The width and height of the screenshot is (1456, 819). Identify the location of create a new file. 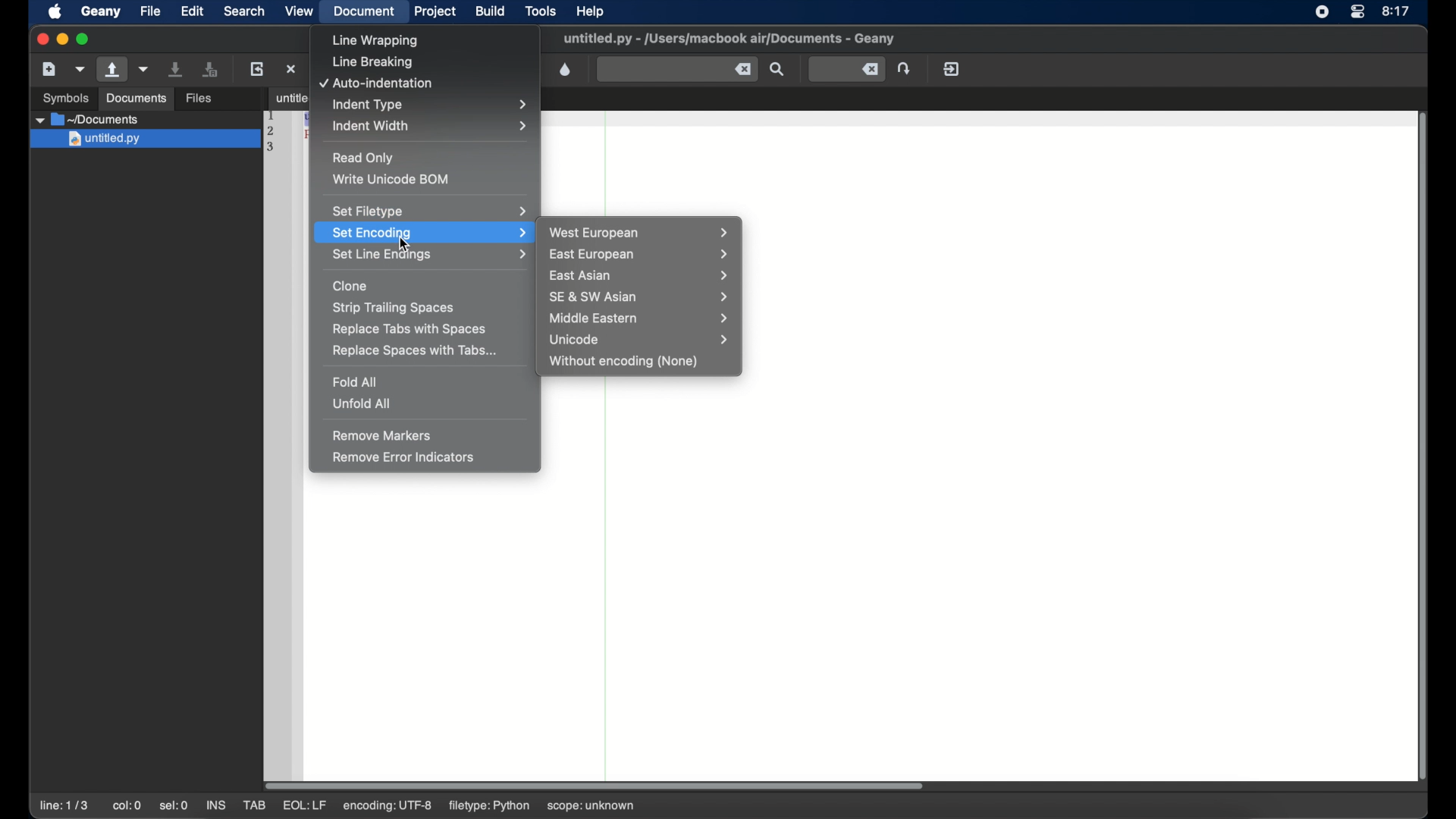
(49, 69).